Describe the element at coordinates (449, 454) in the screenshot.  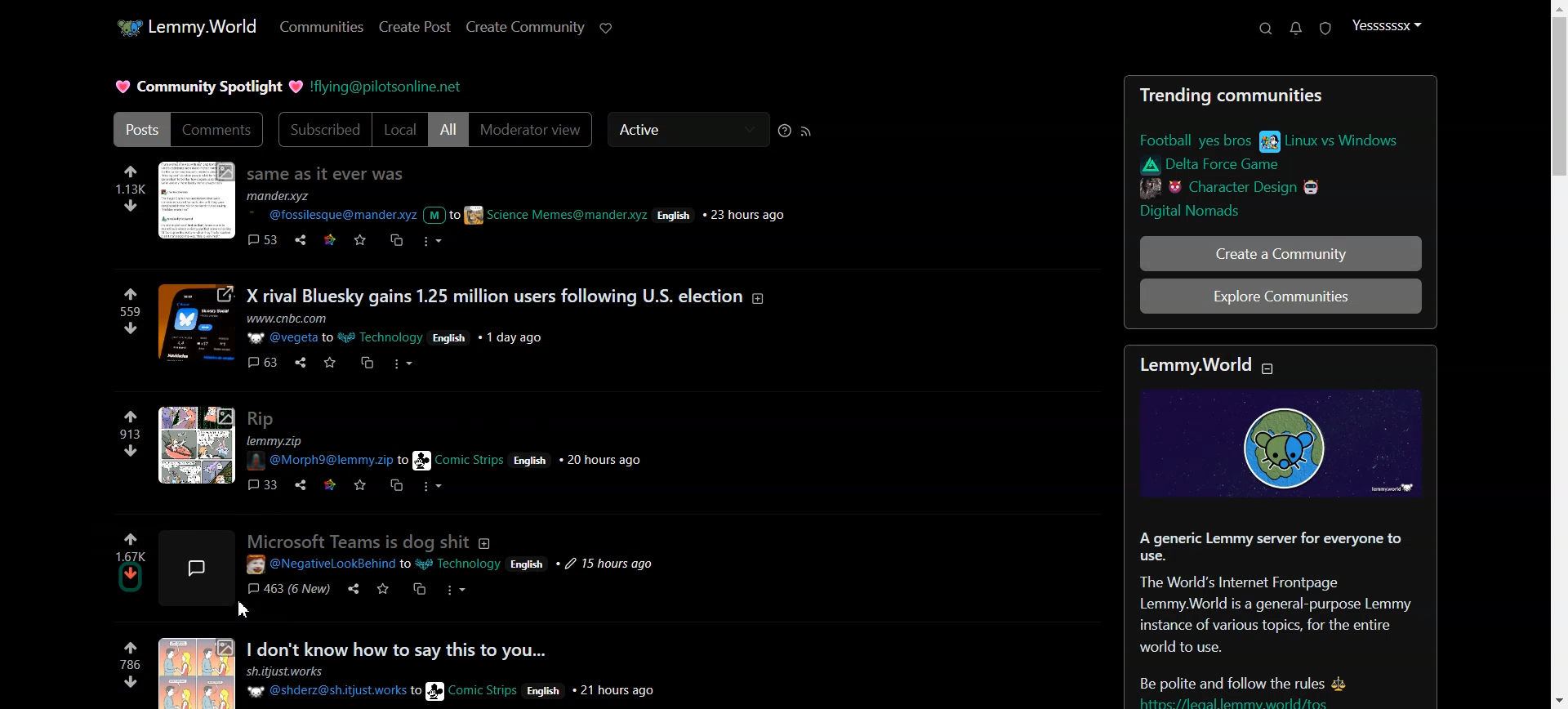
I see `post details` at that location.